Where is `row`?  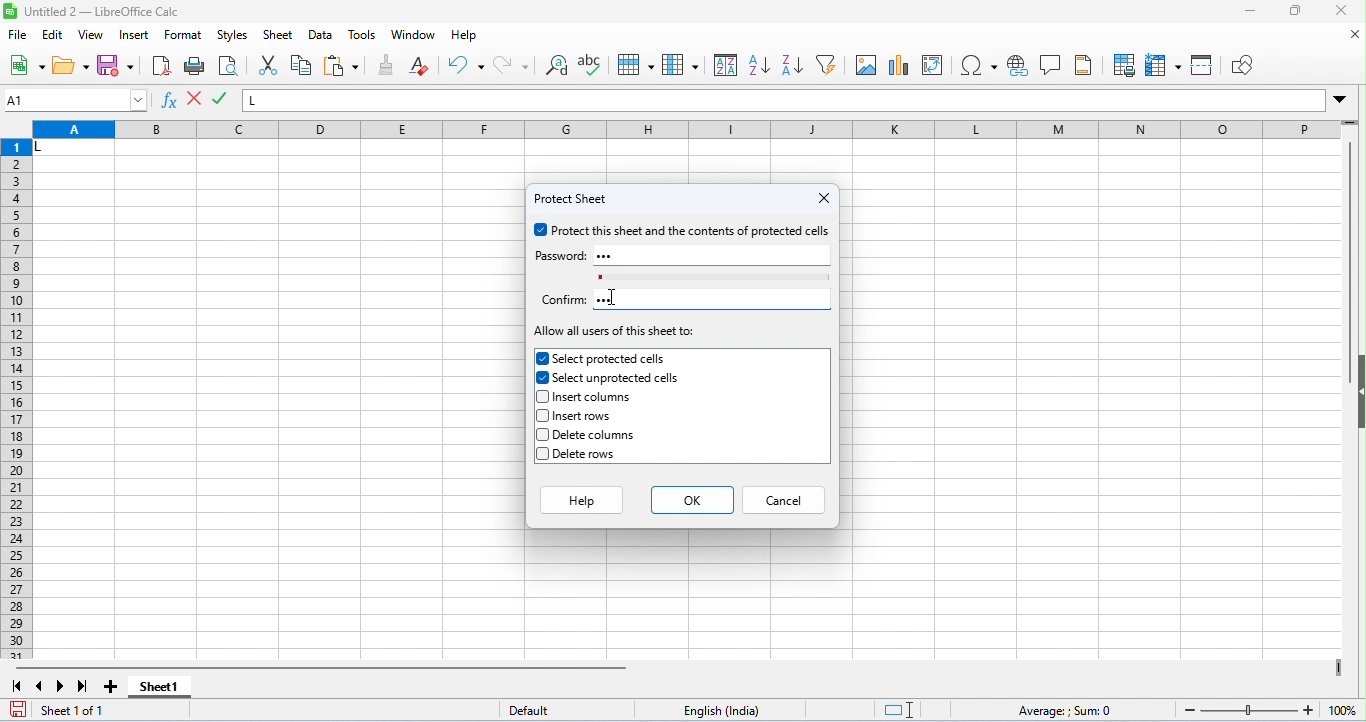 row is located at coordinates (635, 65).